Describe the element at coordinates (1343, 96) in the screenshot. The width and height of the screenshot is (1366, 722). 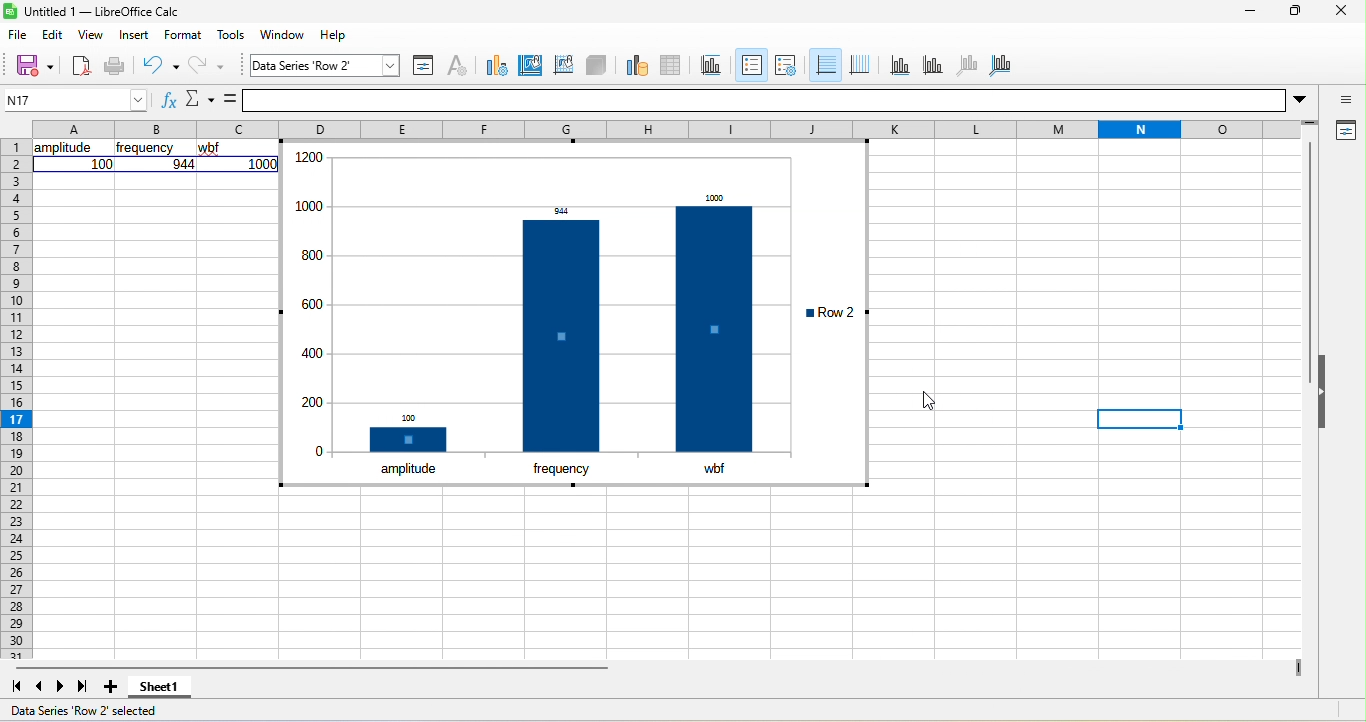
I see `sidebar settings` at that location.